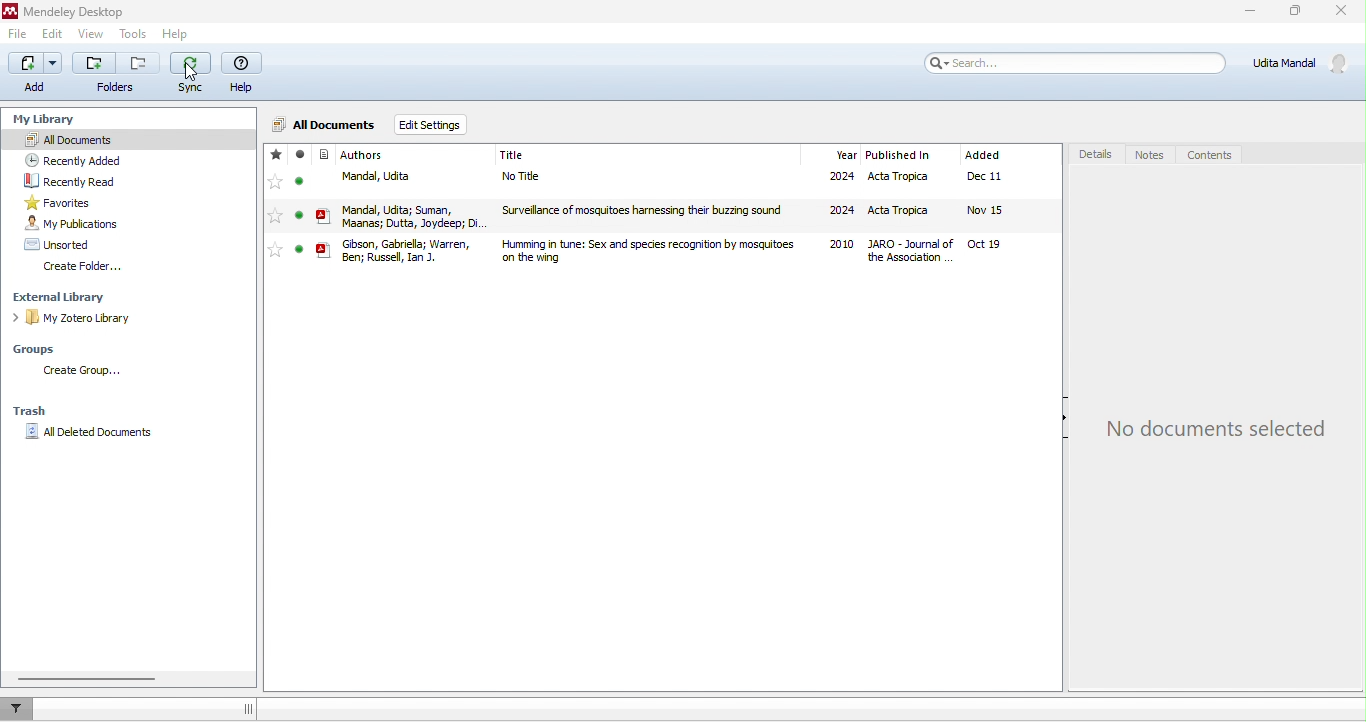 The image size is (1366, 722). What do you see at coordinates (90, 34) in the screenshot?
I see `view` at bounding box center [90, 34].